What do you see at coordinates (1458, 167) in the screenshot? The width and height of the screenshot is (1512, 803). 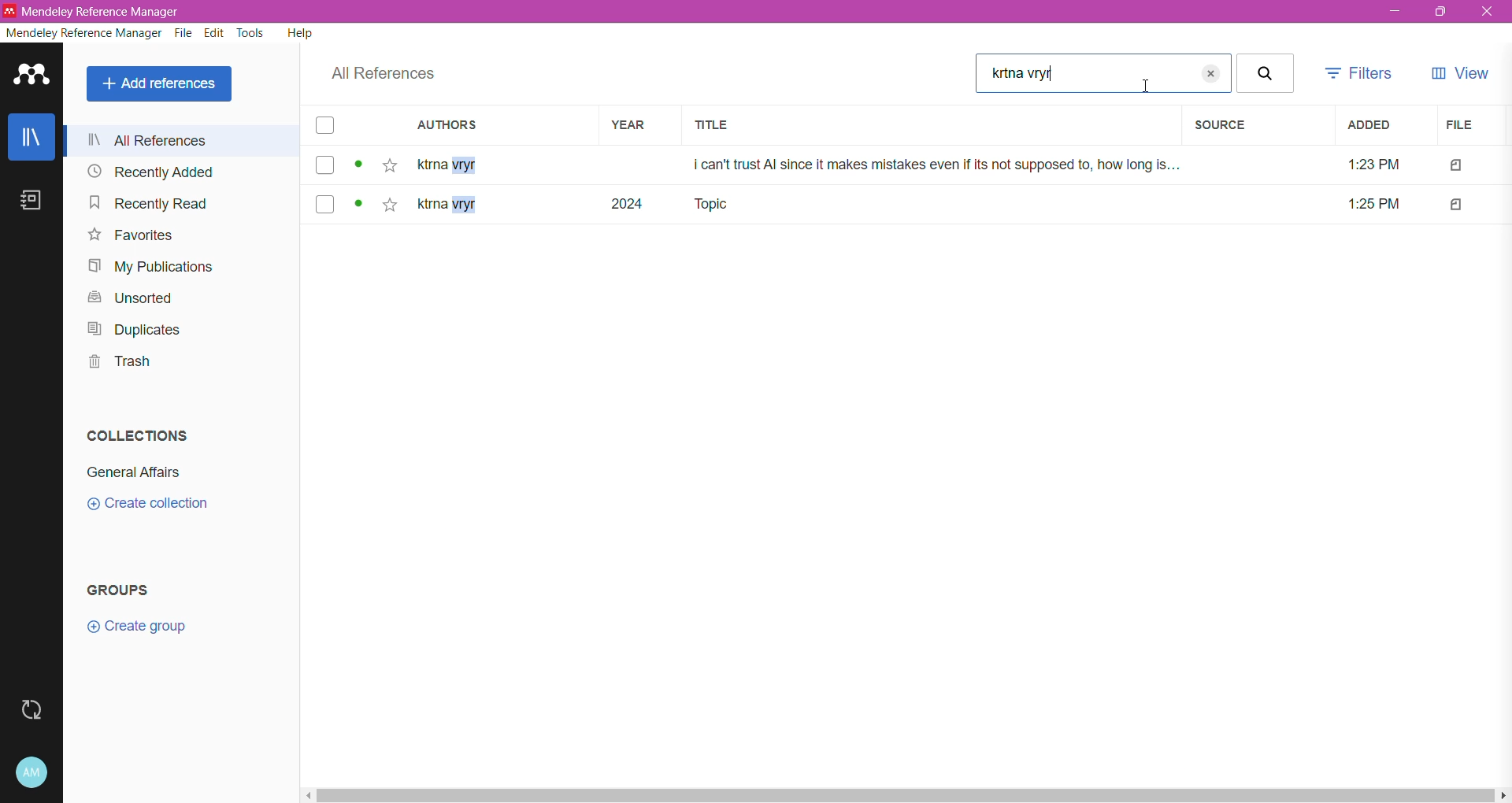 I see `file type` at bounding box center [1458, 167].